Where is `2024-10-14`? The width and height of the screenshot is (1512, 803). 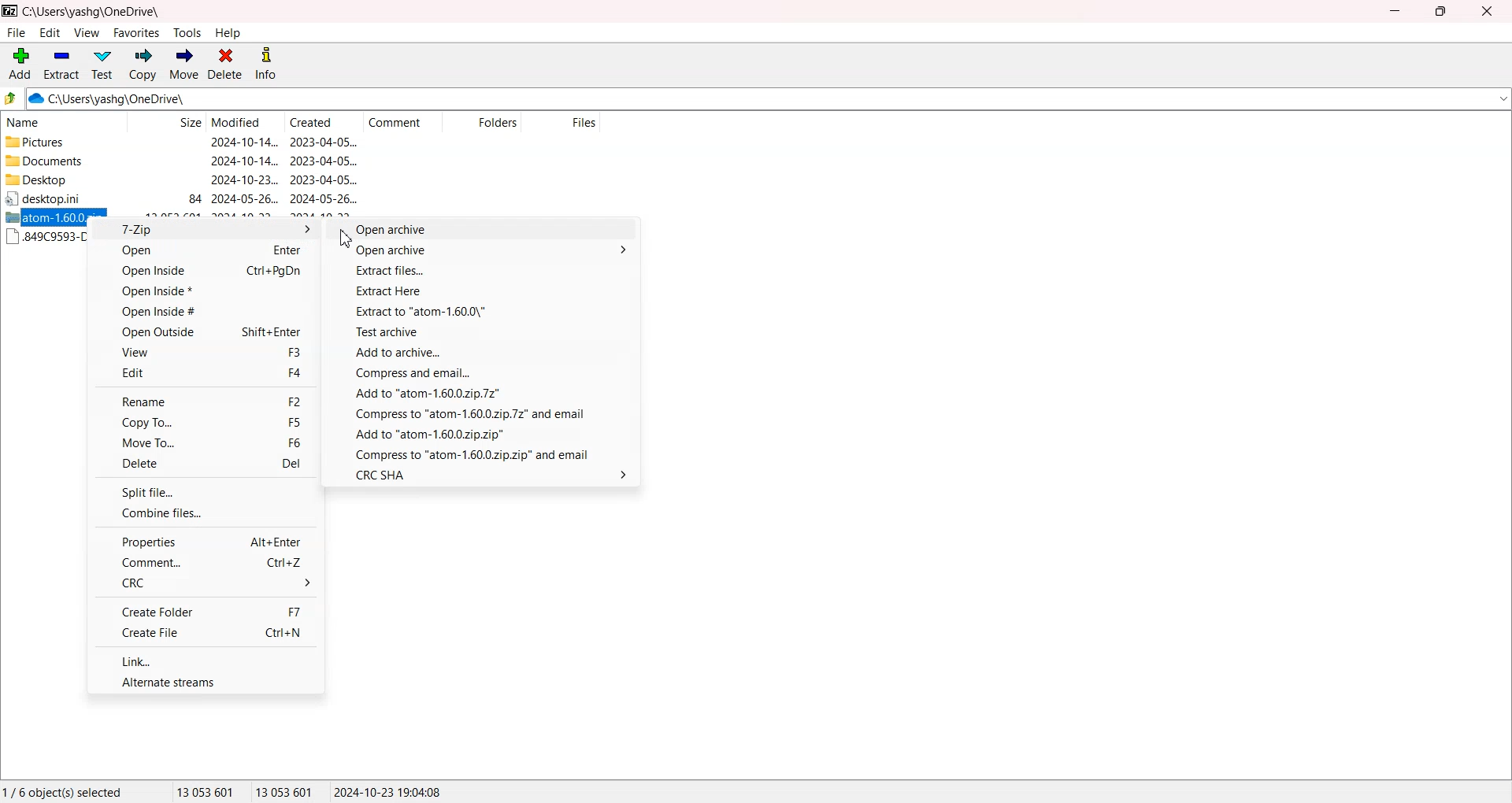 2024-10-14 is located at coordinates (243, 160).